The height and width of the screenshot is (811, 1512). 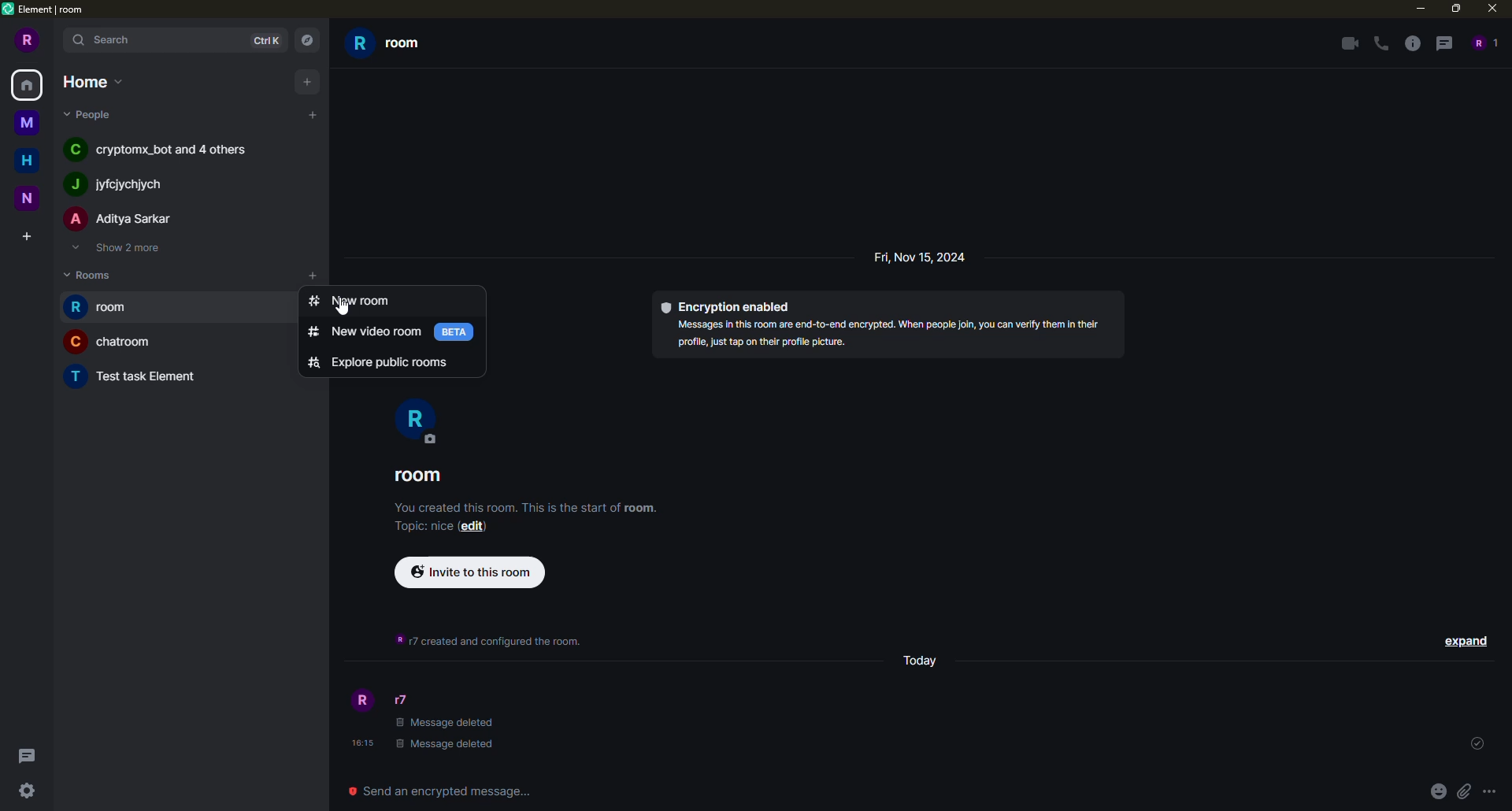 I want to click on element, so click(x=47, y=8).